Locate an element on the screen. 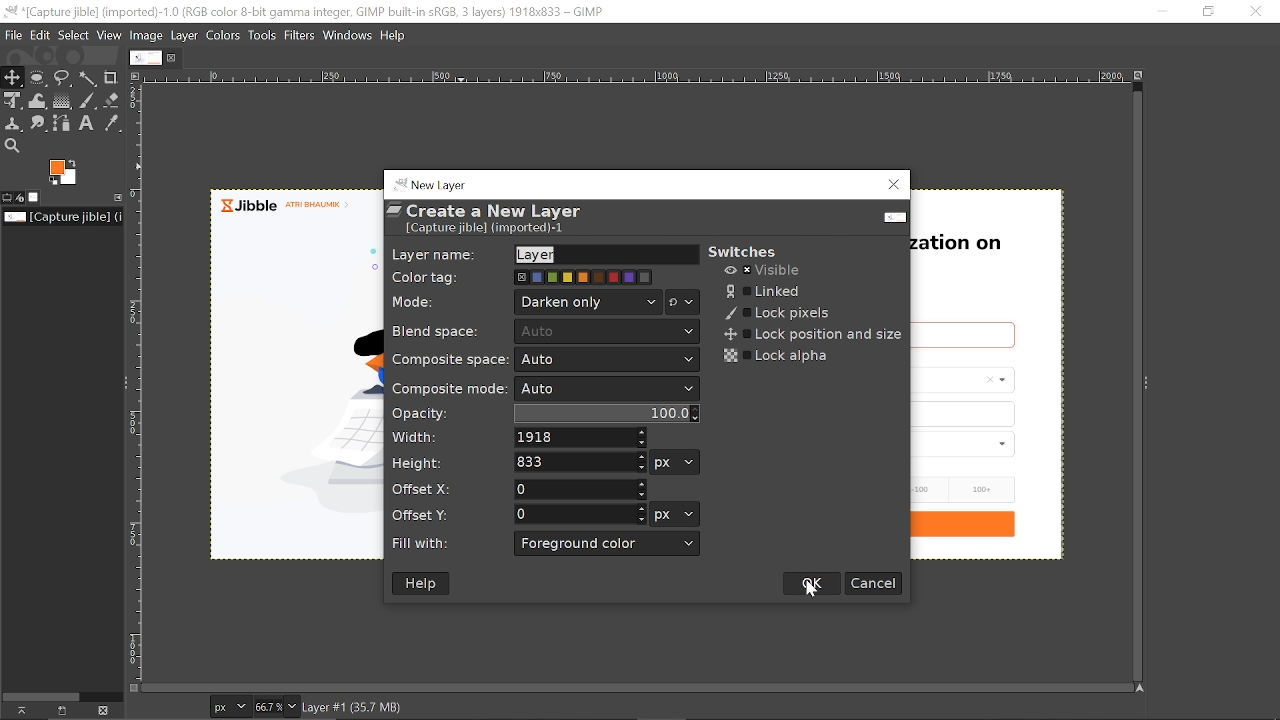 Image resolution: width=1280 pixels, height=720 pixels. Layer name: is located at coordinates (432, 252).